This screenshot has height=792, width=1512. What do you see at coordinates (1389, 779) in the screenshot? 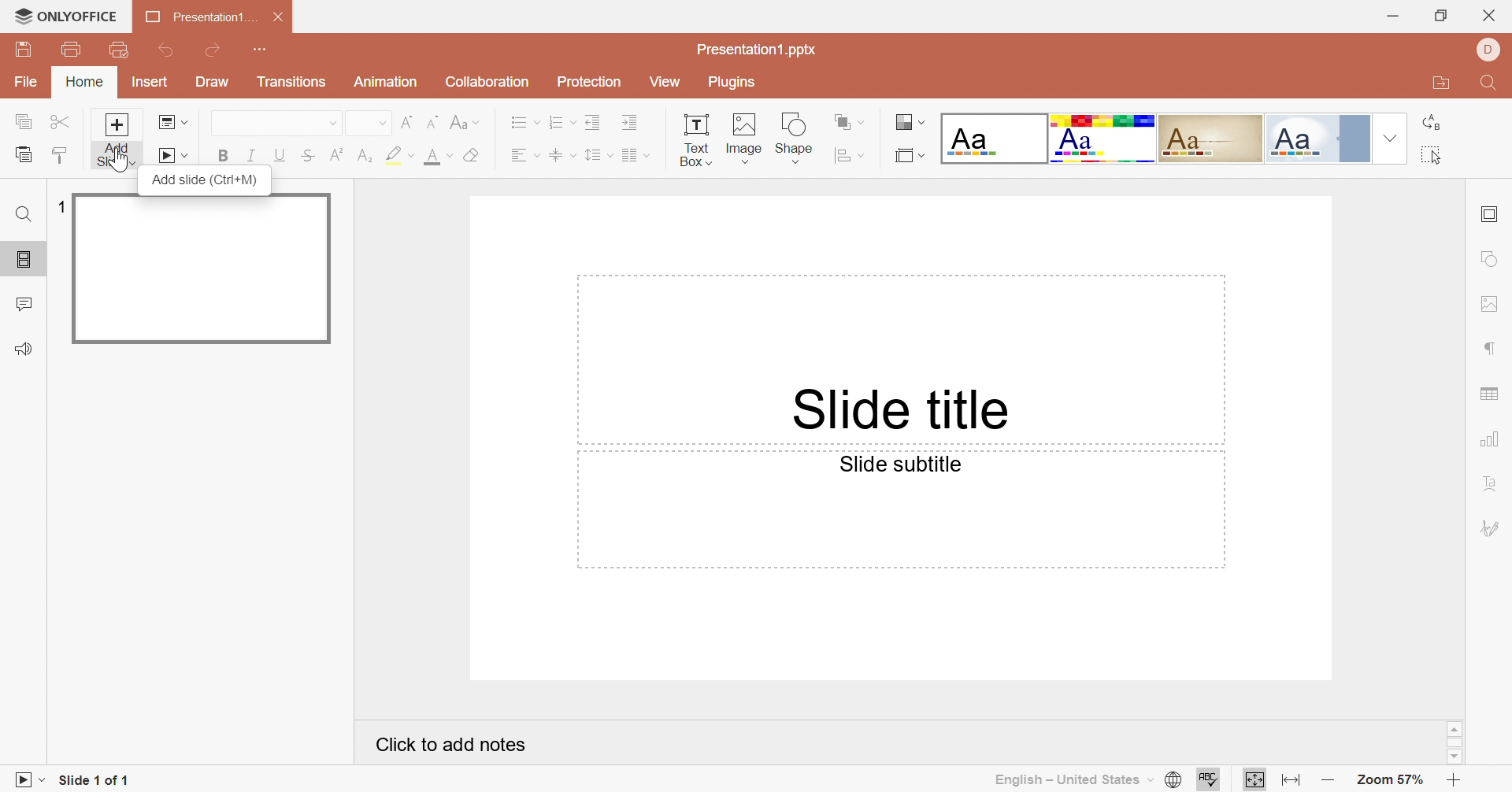
I see `Zoom 57%` at bounding box center [1389, 779].